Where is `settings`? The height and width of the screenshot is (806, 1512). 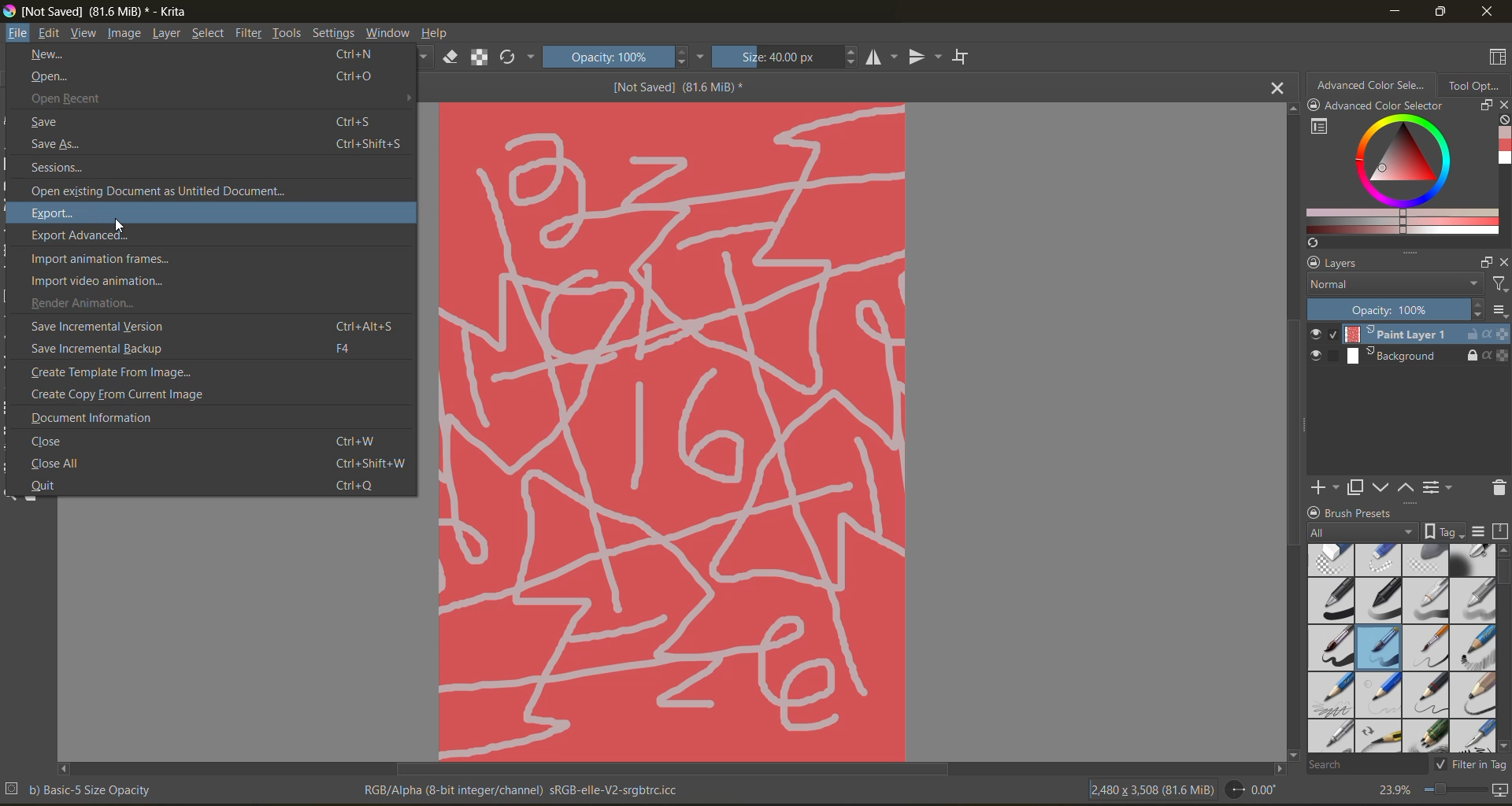
settings is located at coordinates (333, 33).